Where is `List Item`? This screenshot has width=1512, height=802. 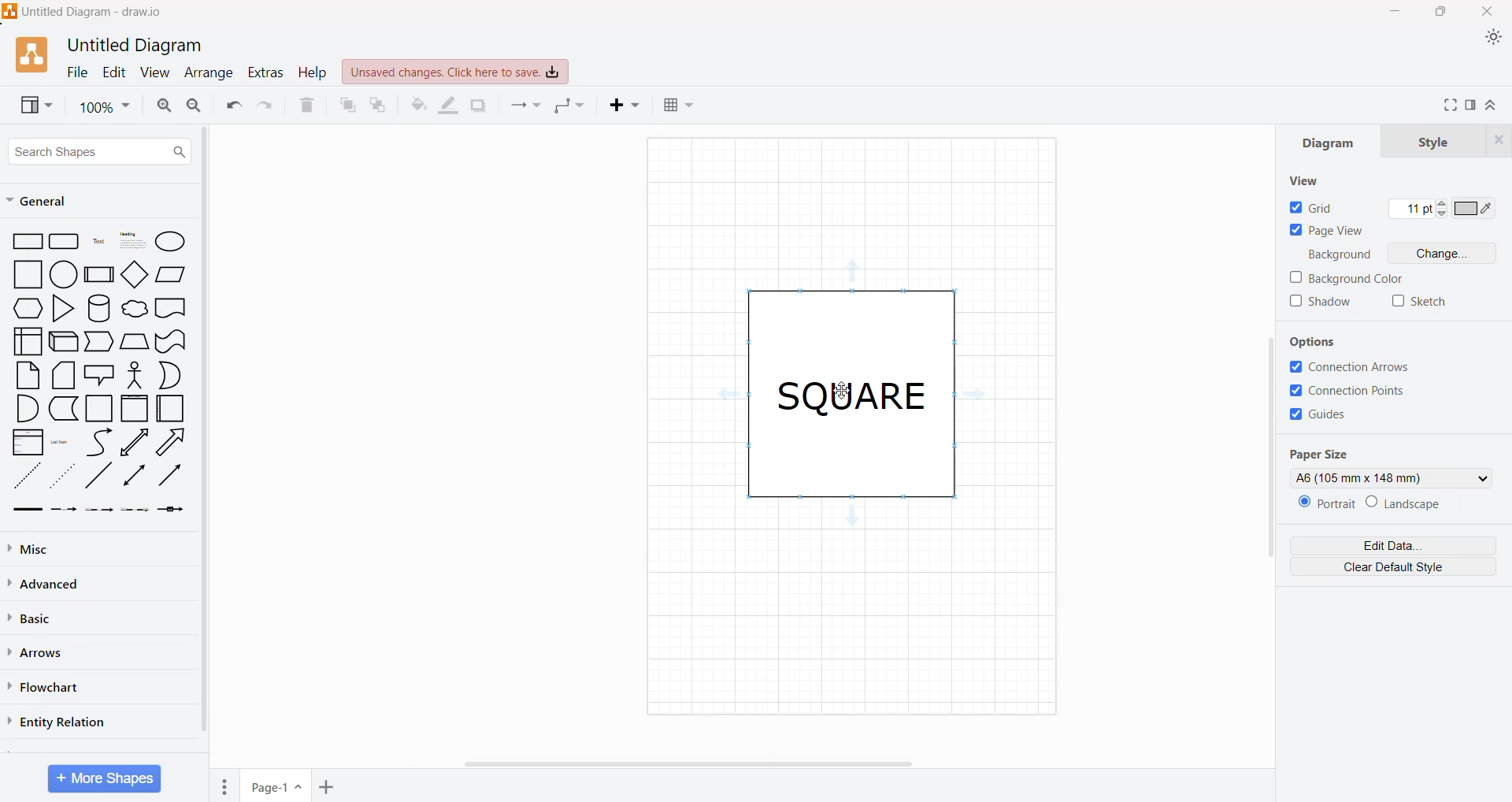 List Item is located at coordinates (63, 441).